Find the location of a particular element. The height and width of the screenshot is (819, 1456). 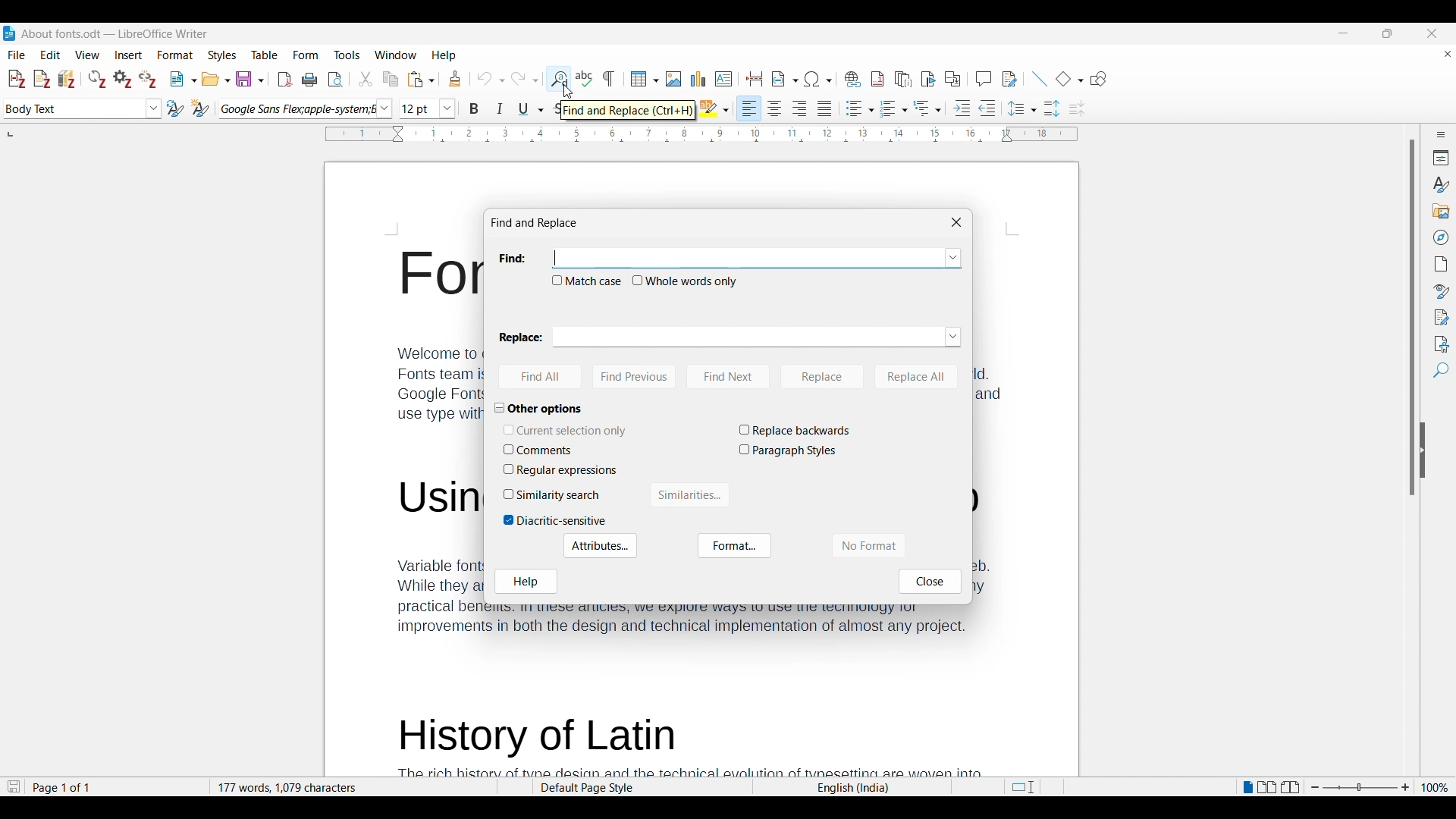

Toggle formatting marks is located at coordinates (610, 79).